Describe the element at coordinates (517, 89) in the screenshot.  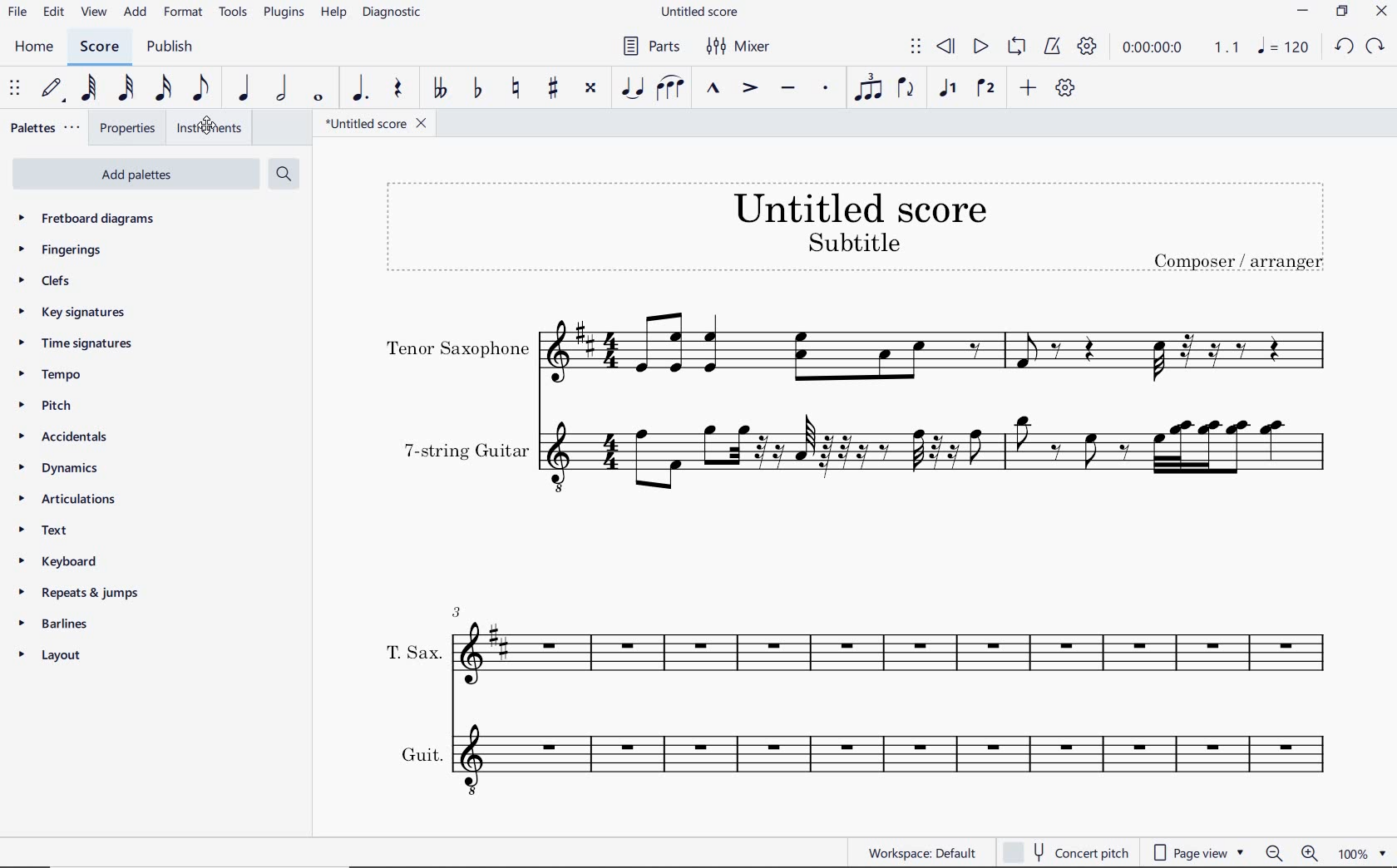
I see `TOGGLE NATURAL` at that location.